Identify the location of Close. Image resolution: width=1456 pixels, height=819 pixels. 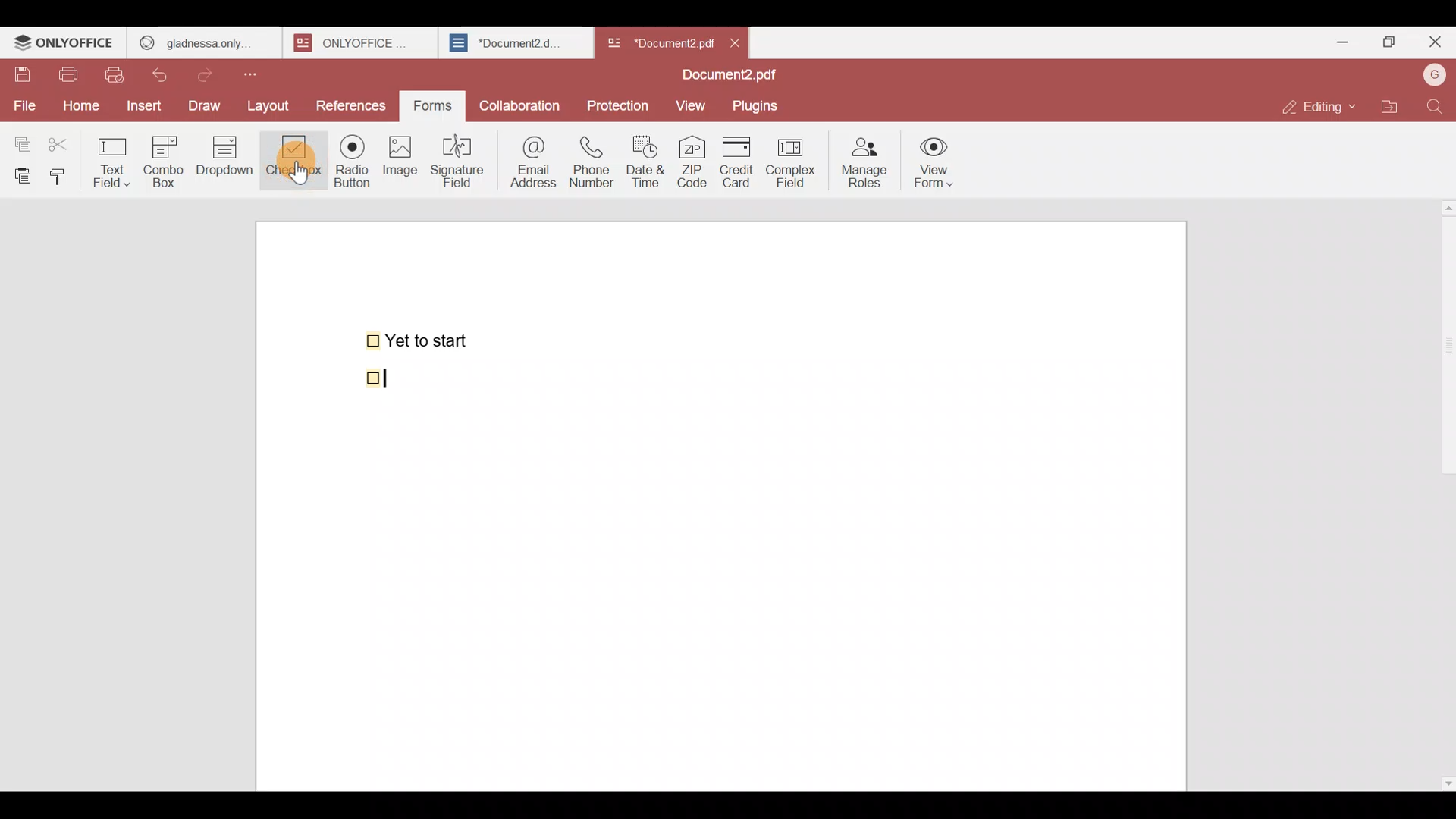
(742, 42).